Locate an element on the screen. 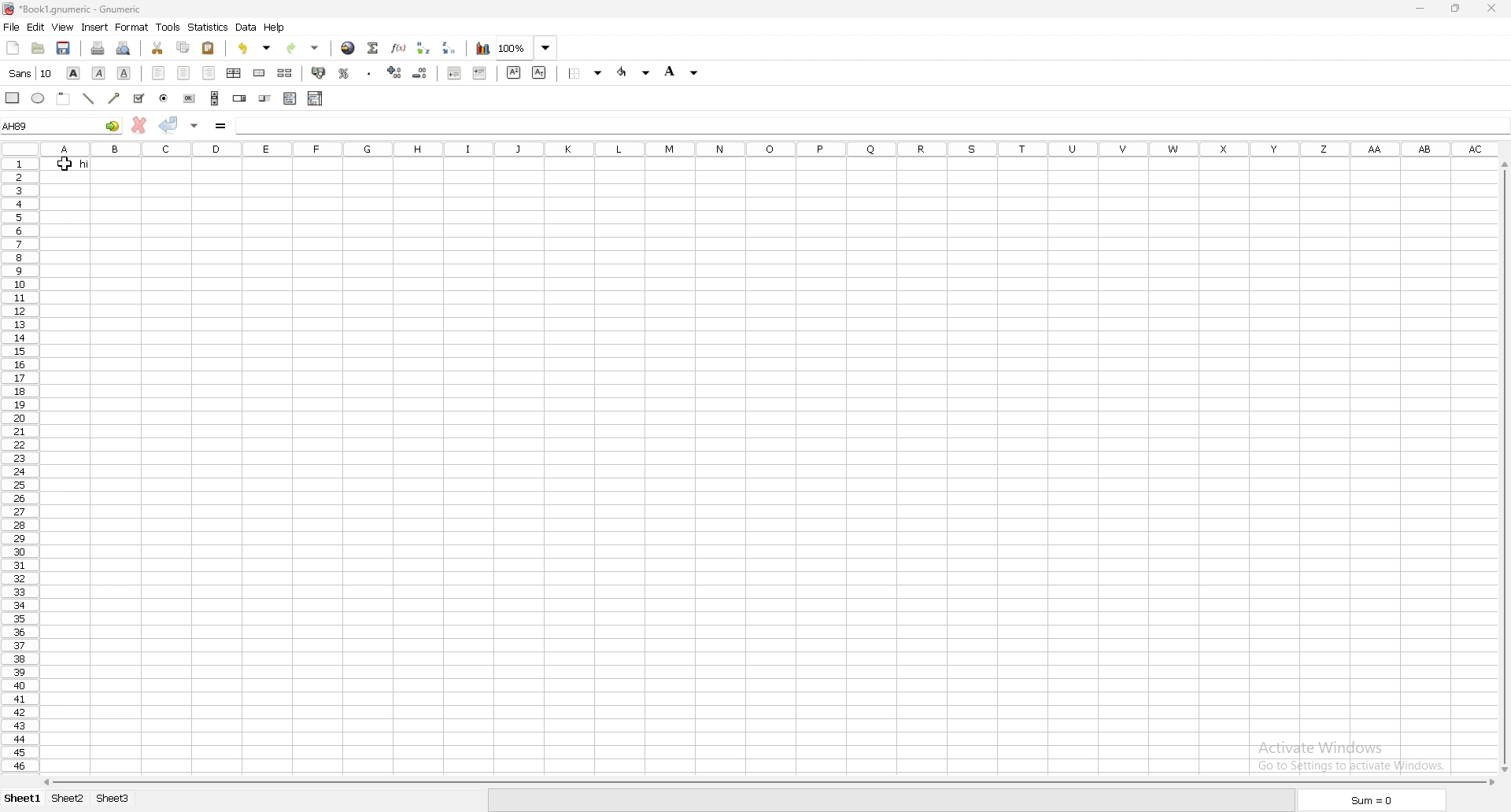 The width and height of the screenshot is (1511, 812). cancel changes is located at coordinates (139, 125).